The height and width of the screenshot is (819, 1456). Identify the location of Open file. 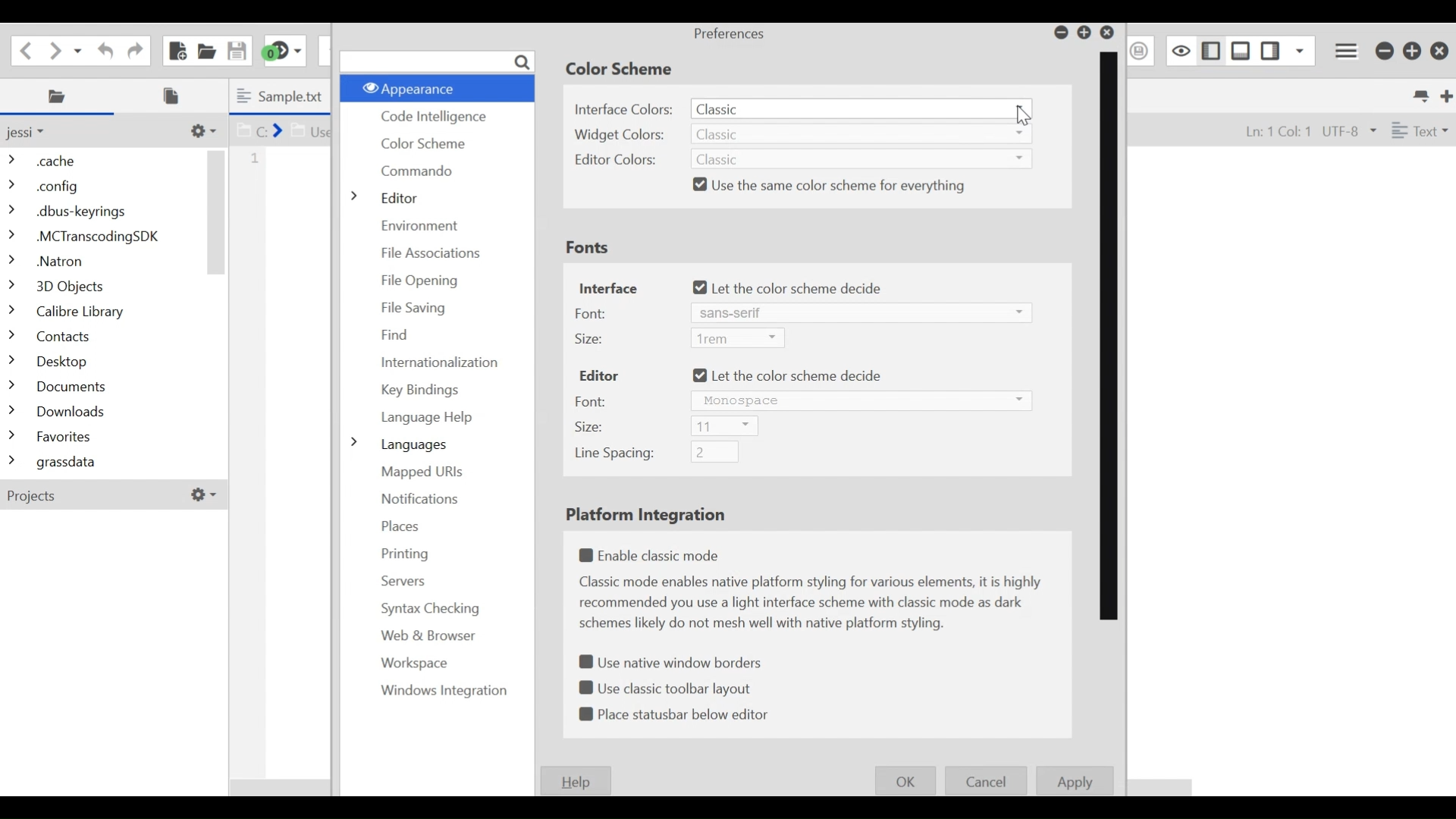
(206, 49).